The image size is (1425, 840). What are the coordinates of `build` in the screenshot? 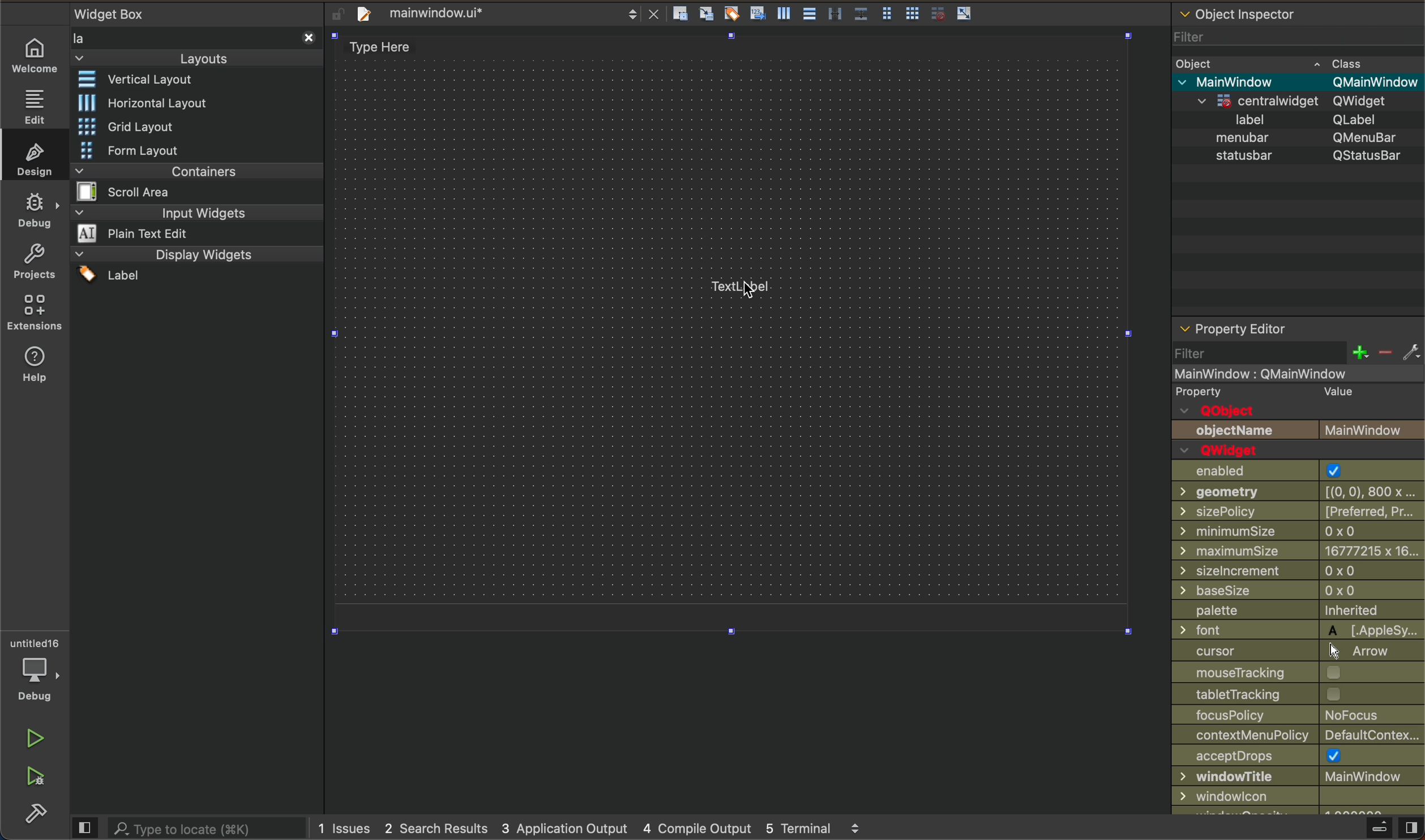 It's located at (37, 816).